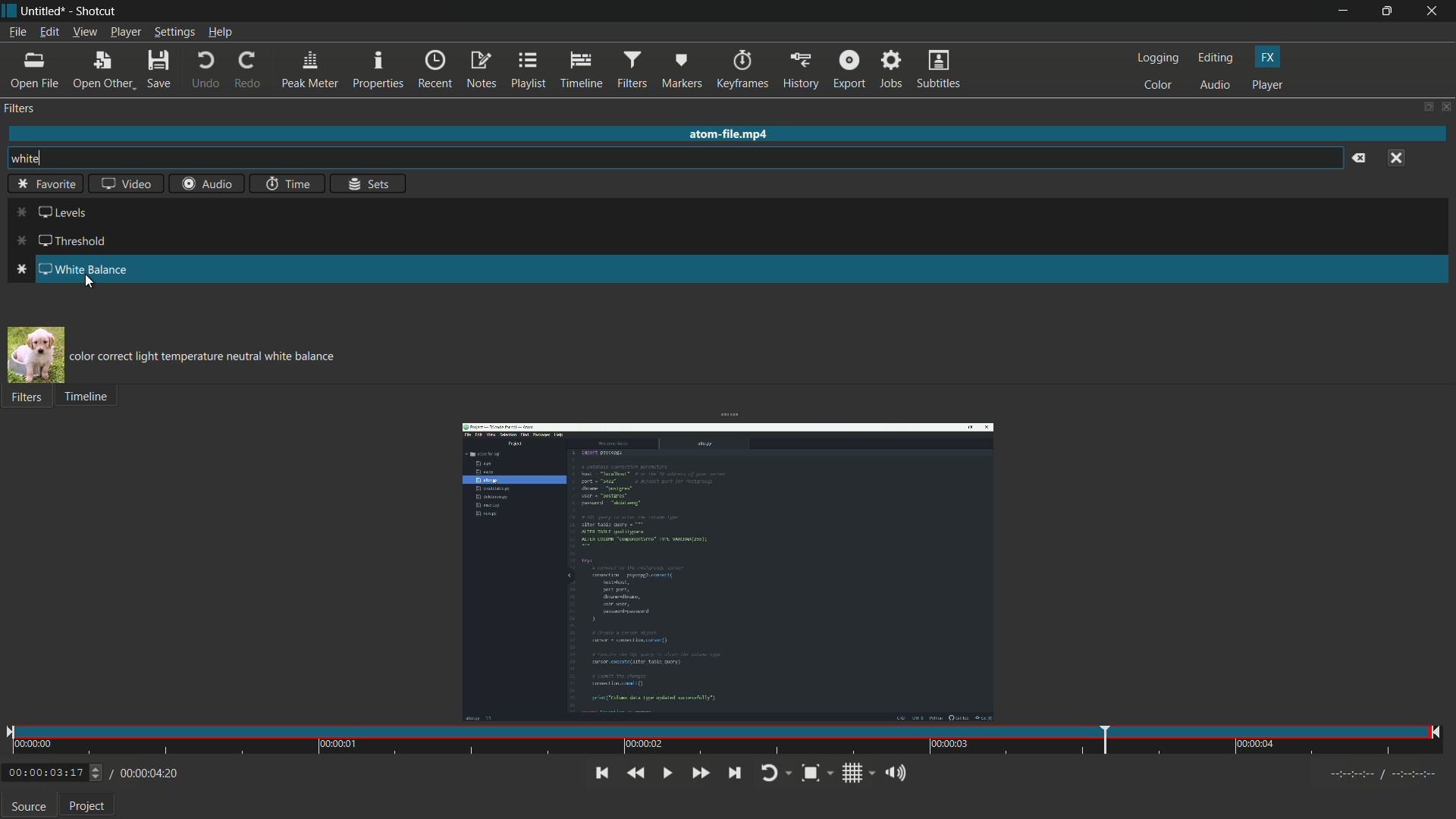 The image size is (1456, 819). What do you see at coordinates (43, 158) in the screenshot?
I see `white` at bounding box center [43, 158].